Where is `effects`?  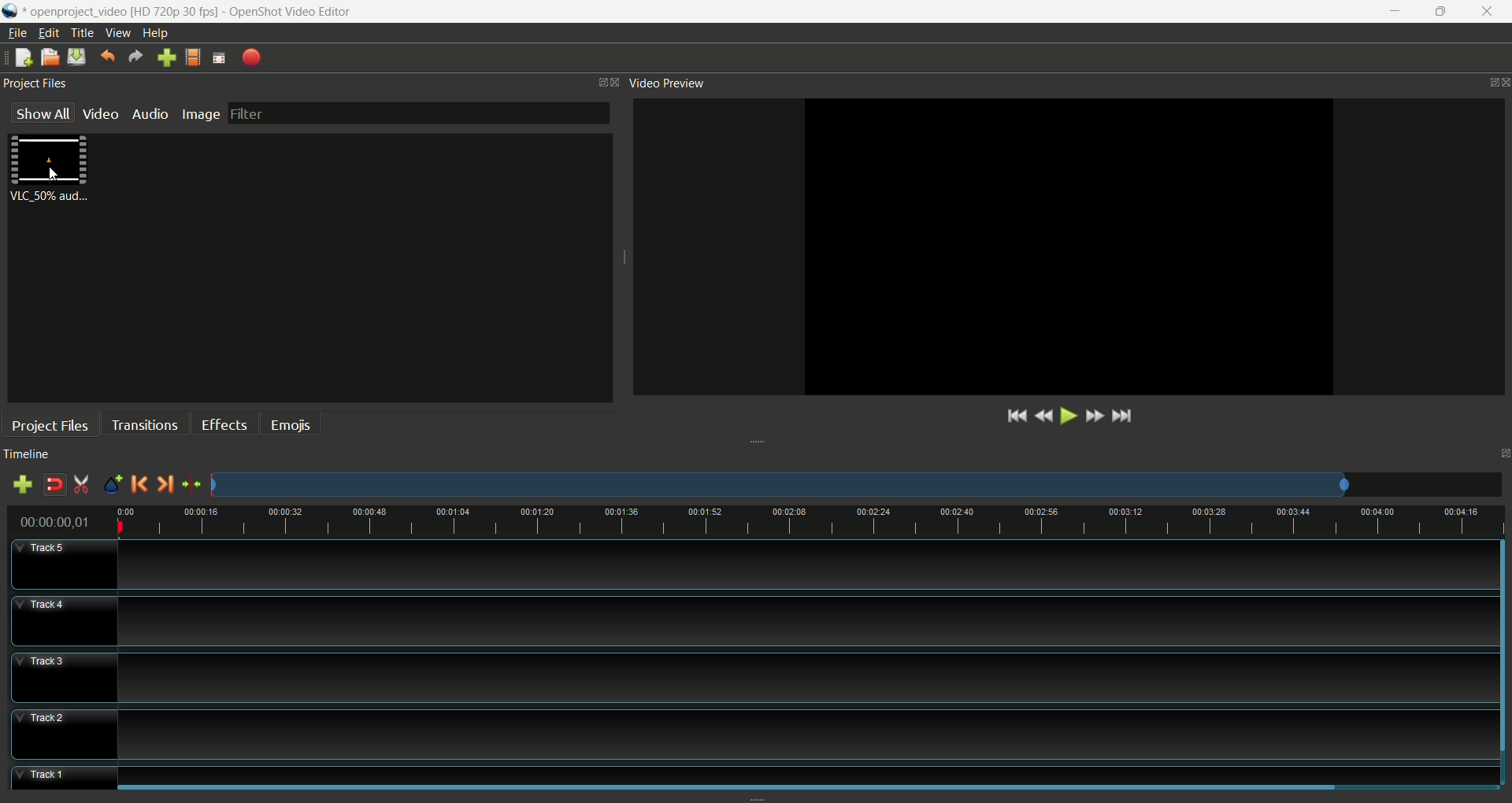 effects is located at coordinates (223, 424).